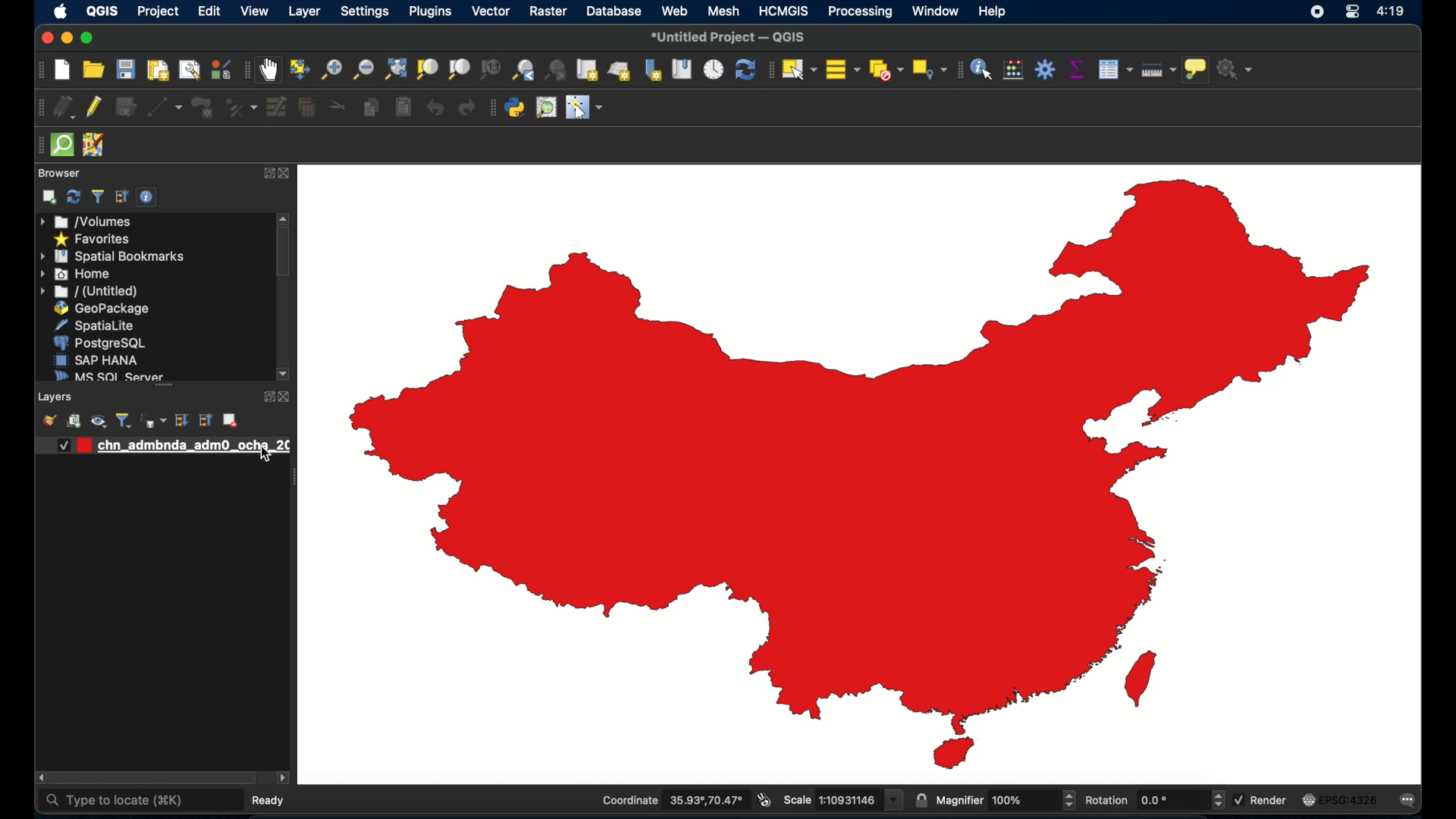  Describe the element at coordinates (240, 108) in the screenshot. I see `vertex tool` at that location.